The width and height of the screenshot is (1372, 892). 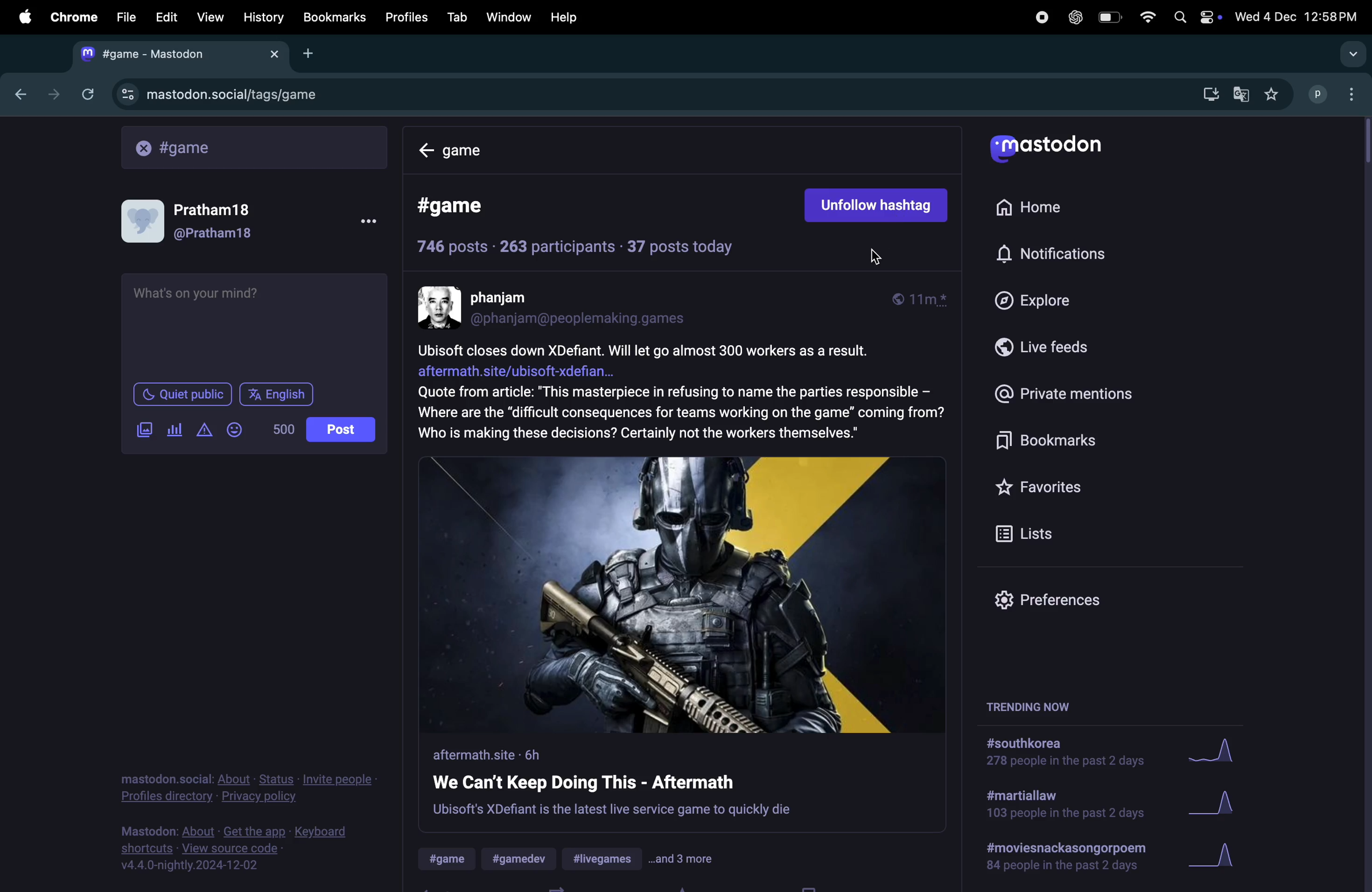 What do you see at coordinates (524, 858) in the screenshot?
I see `#gamedev` at bounding box center [524, 858].